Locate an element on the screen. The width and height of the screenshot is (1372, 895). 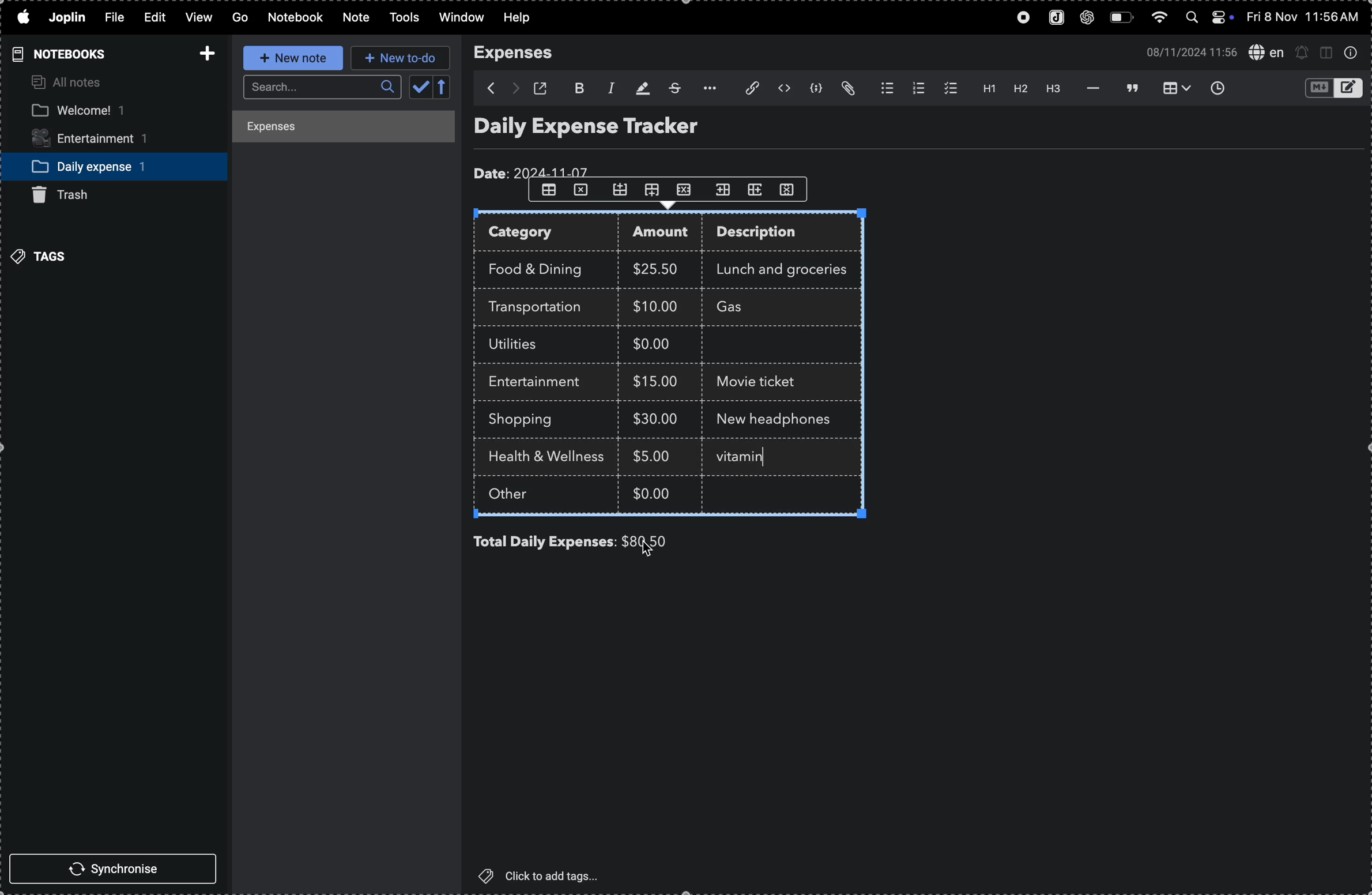
 is located at coordinates (621, 189).